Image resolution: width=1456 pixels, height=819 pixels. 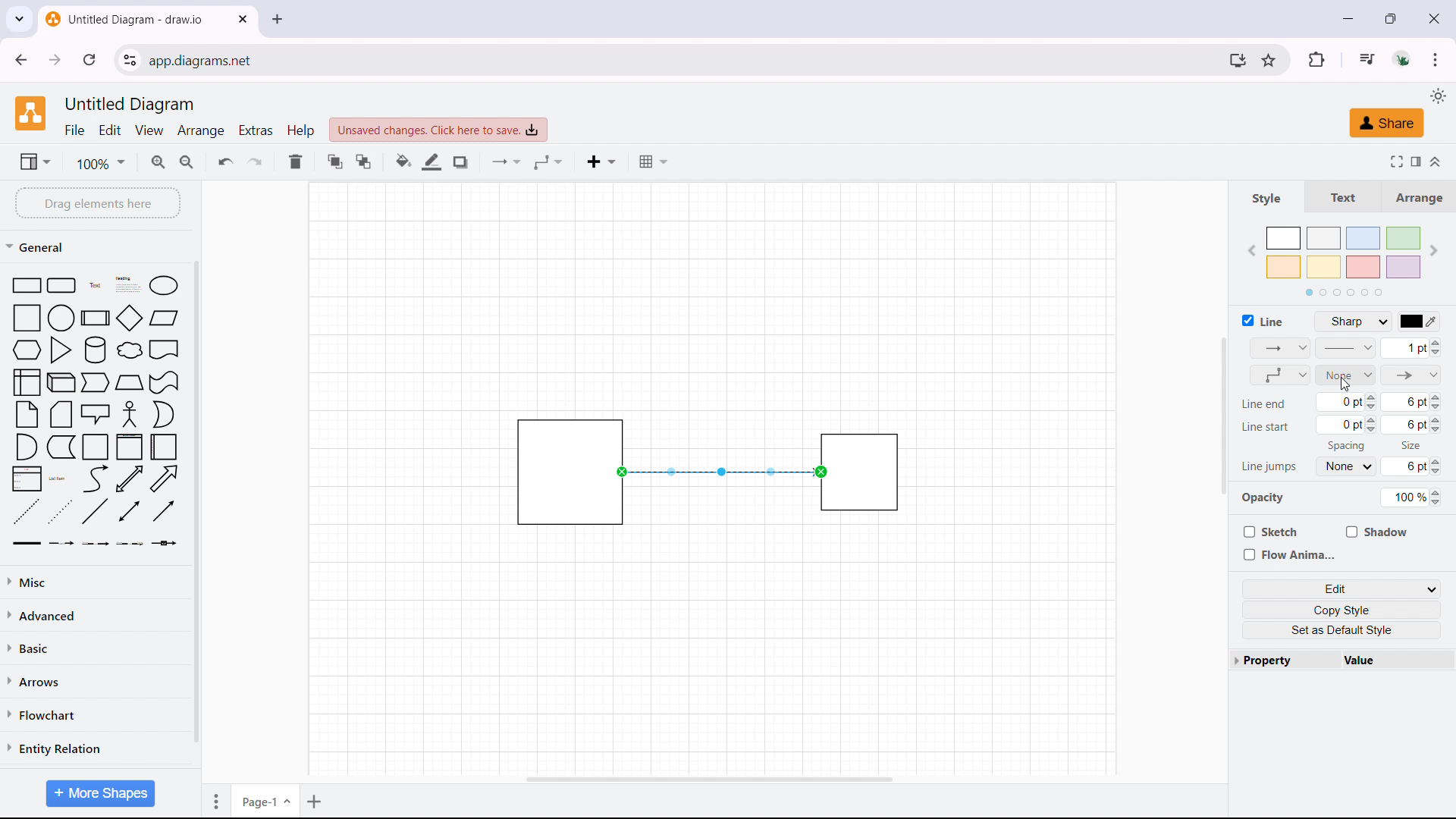 I want to click on opacity, so click(x=1410, y=497).